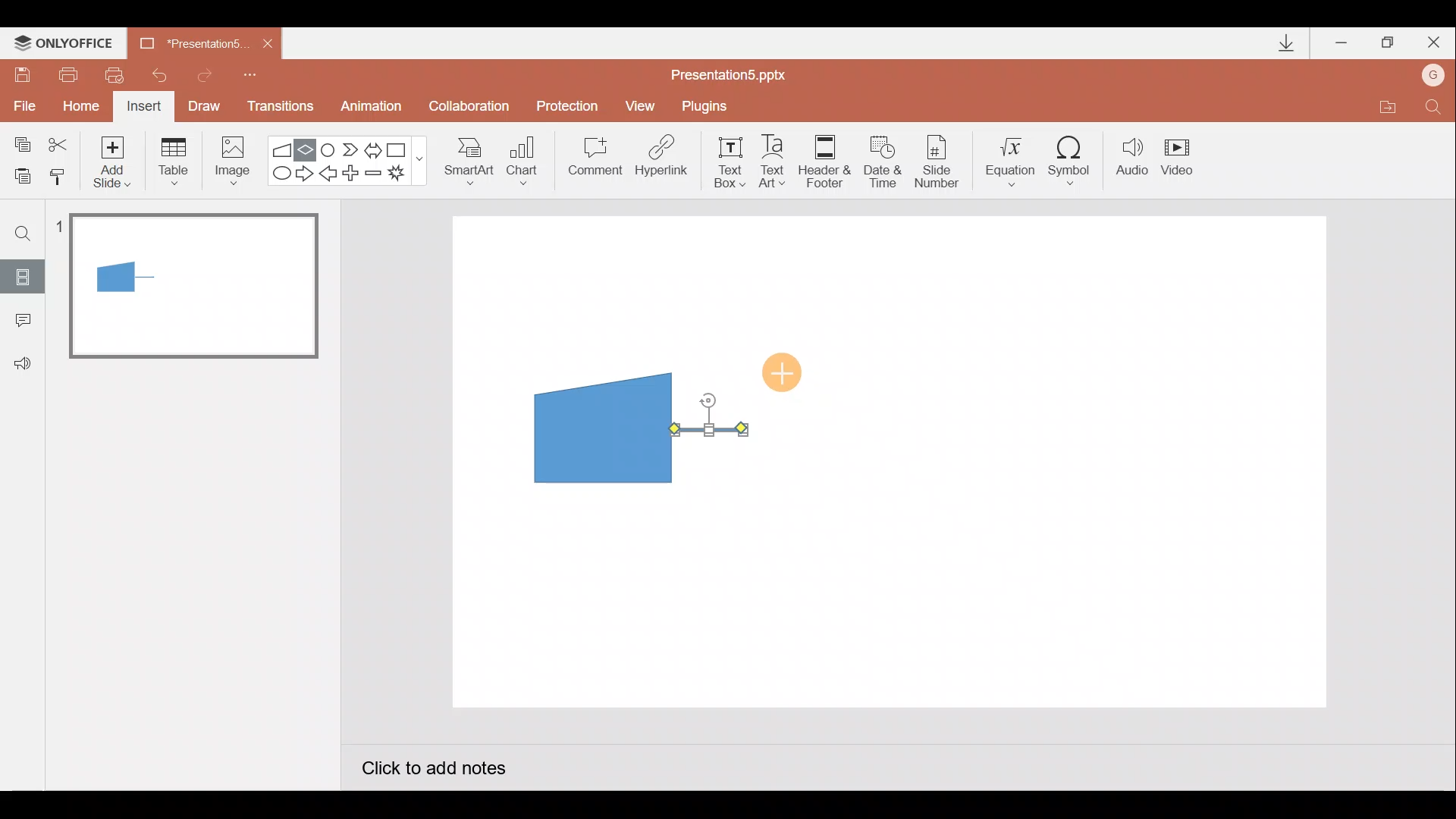 The width and height of the screenshot is (1456, 819). I want to click on Protection, so click(572, 105).